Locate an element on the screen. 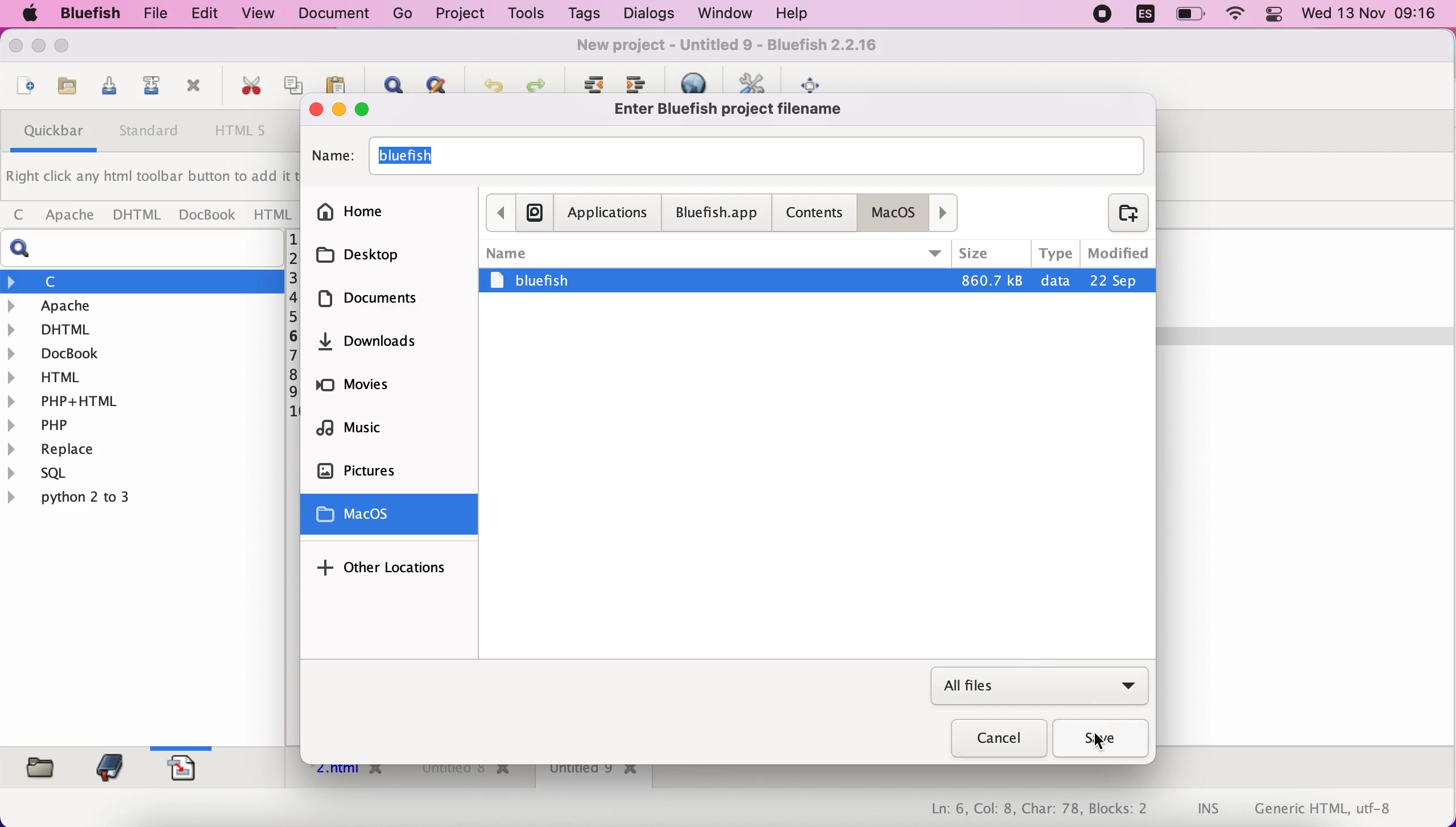 The image size is (1456, 827). dhtml is located at coordinates (138, 216).